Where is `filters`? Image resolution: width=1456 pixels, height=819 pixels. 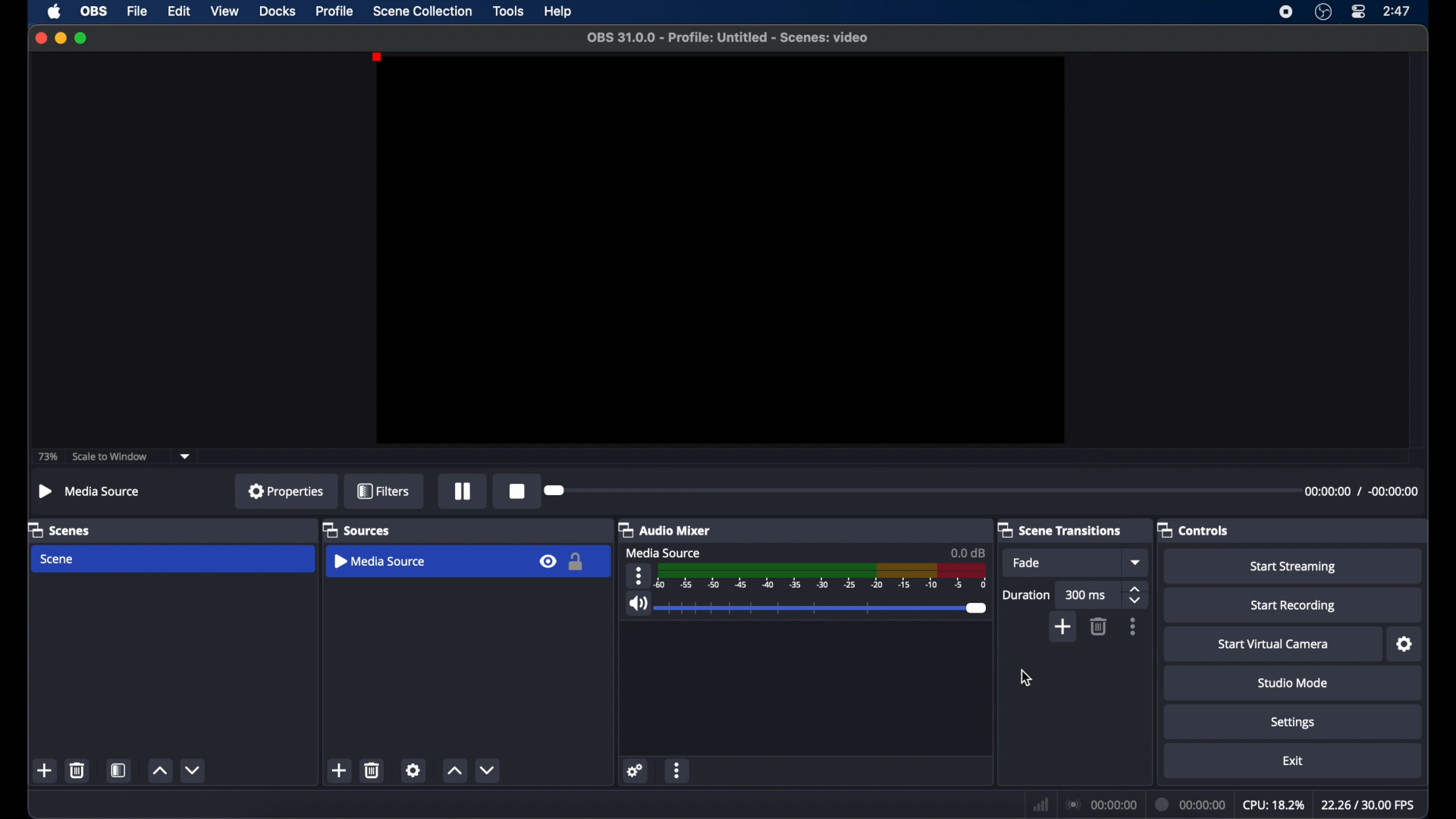 filters is located at coordinates (383, 491).